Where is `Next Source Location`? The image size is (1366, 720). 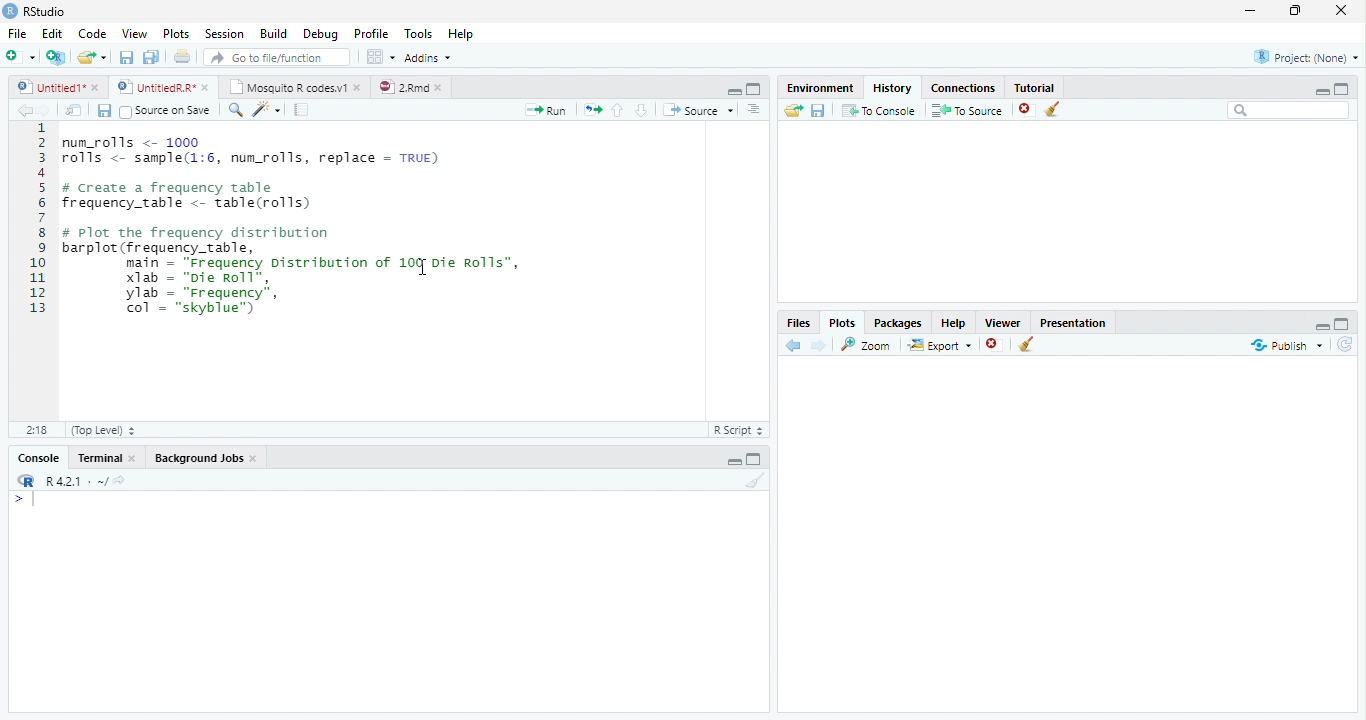 Next Source Location is located at coordinates (45, 109).